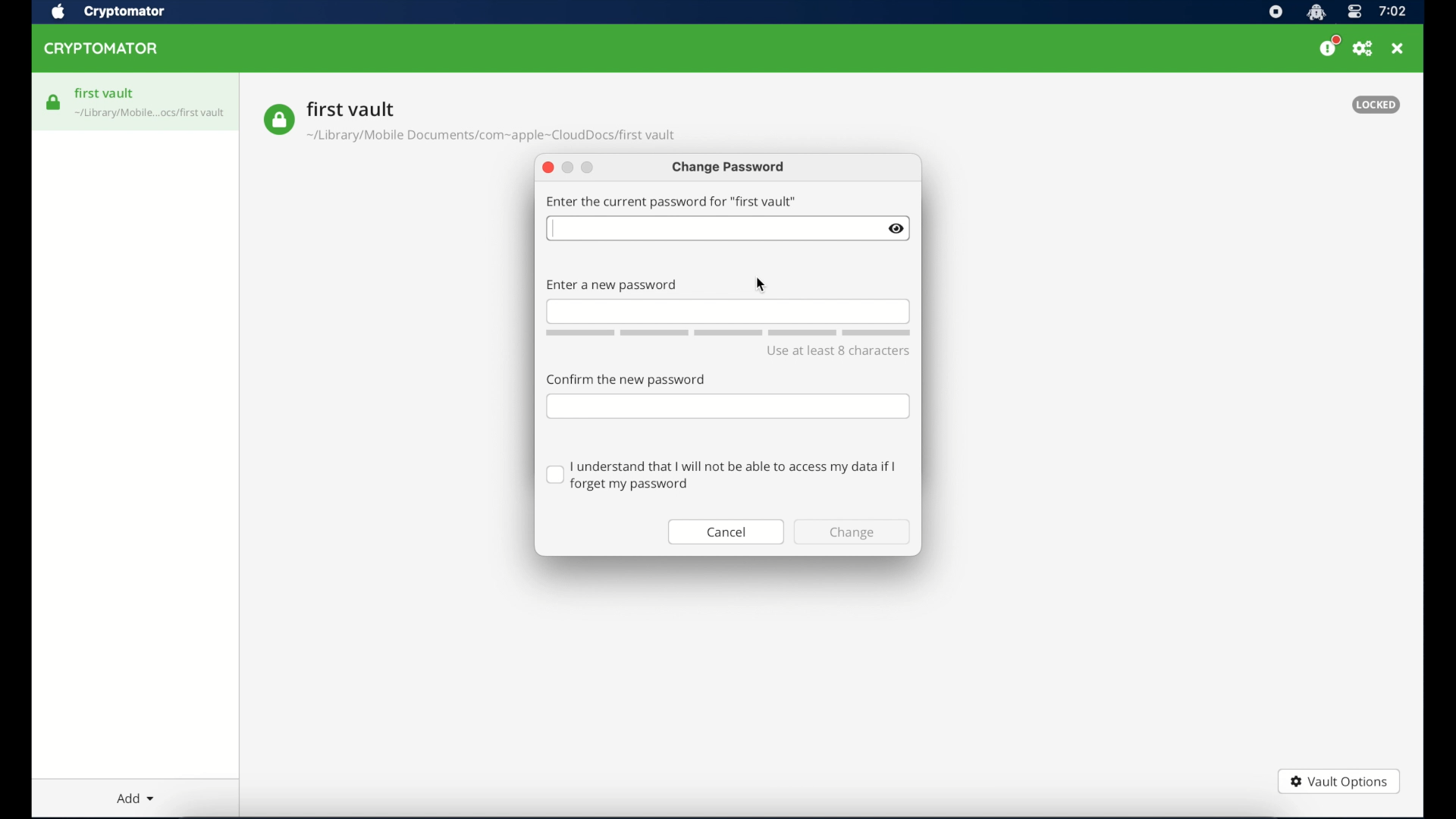  What do you see at coordinates (1338, 783) in the screenshot?
I see `vault options` at bounding box center [1338, 783].